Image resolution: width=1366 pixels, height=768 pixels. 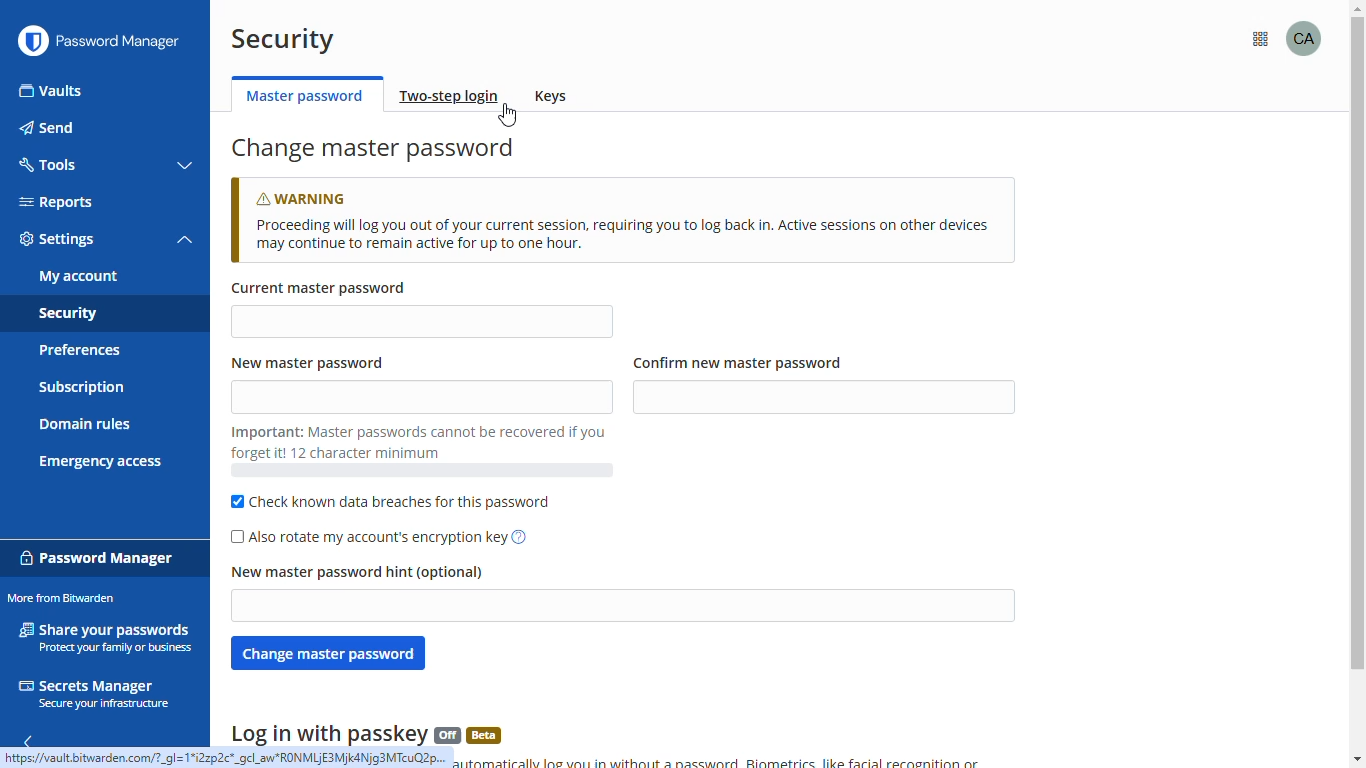 What do you see at coordinates (67, 315) in the screenshot?
I see `security` at bounding box center [67, 315].